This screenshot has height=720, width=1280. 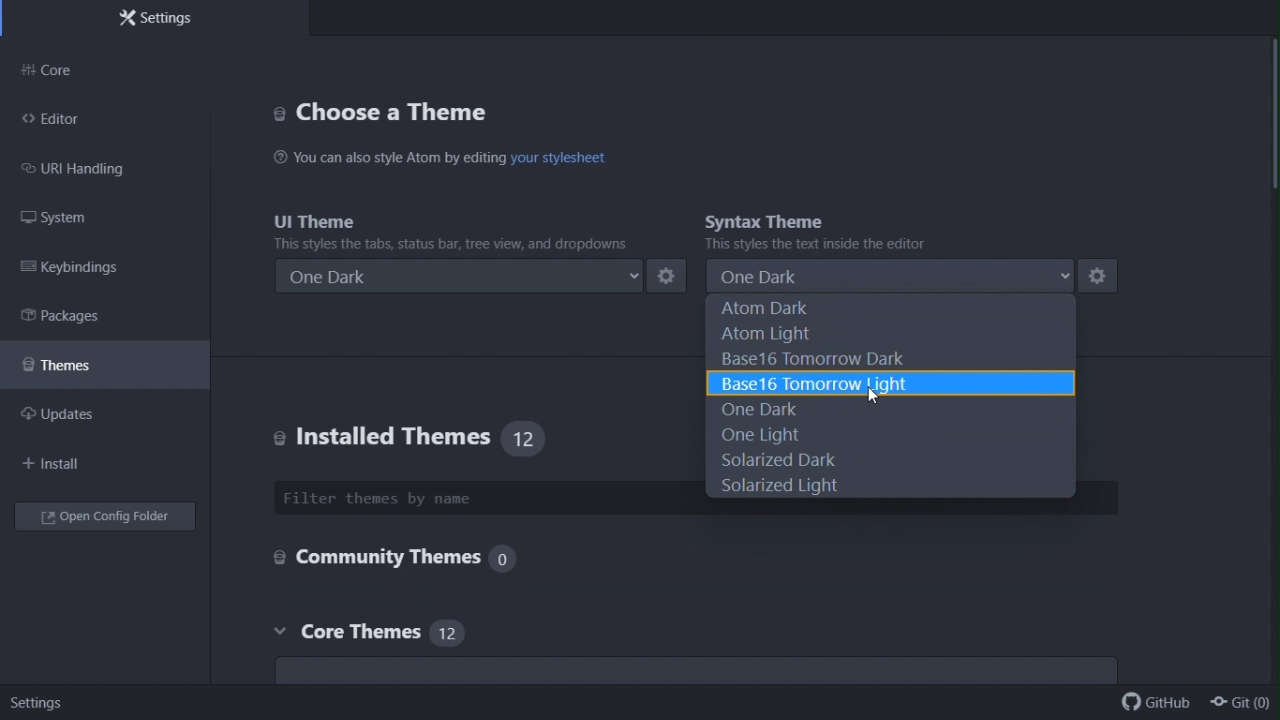 I want to click on settings, so click(x=50, y=701).